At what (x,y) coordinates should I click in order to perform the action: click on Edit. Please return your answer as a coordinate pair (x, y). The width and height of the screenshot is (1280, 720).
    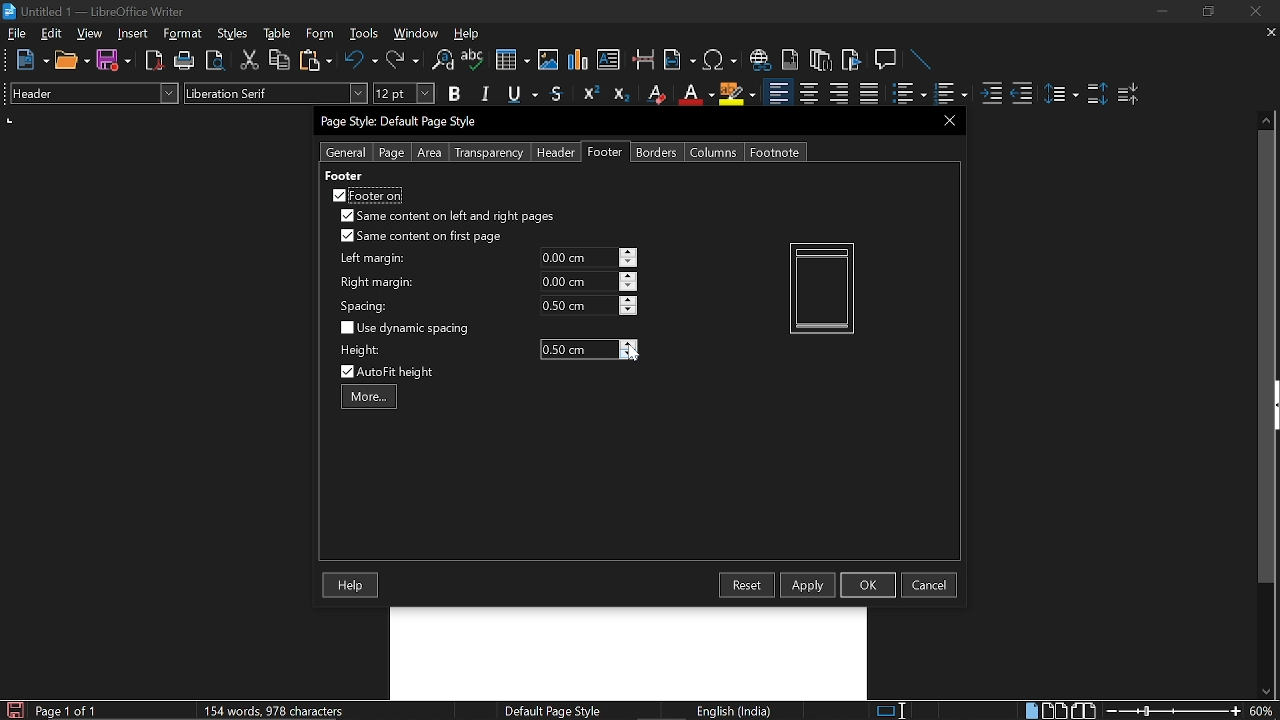
    Looking at the image, I should click on (52, 33).